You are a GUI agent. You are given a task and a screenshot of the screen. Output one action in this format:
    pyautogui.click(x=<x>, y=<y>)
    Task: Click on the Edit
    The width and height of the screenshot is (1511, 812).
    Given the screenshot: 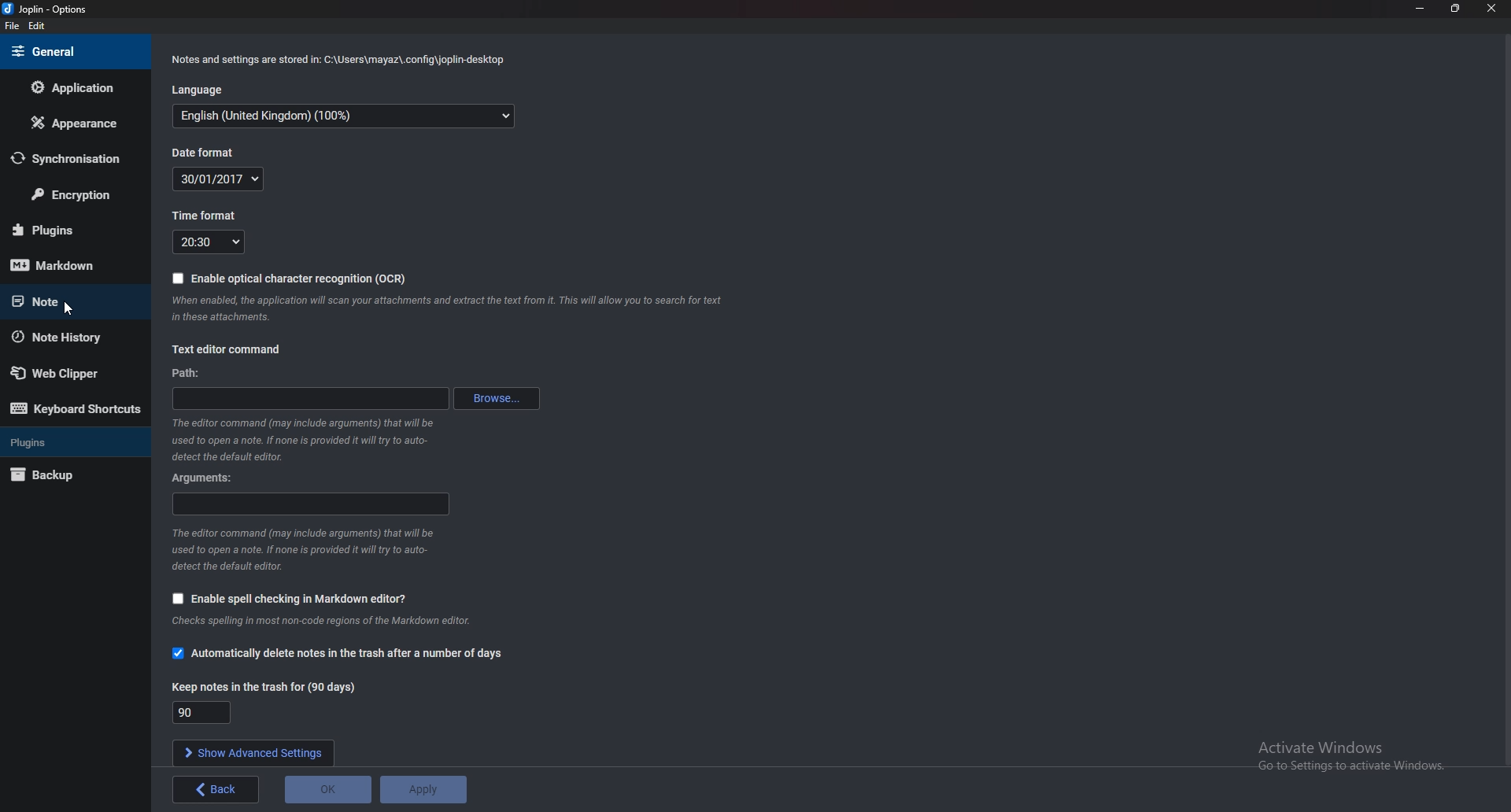 What is the action you would take?
    pyautogui.click(x=38, y=27)
    